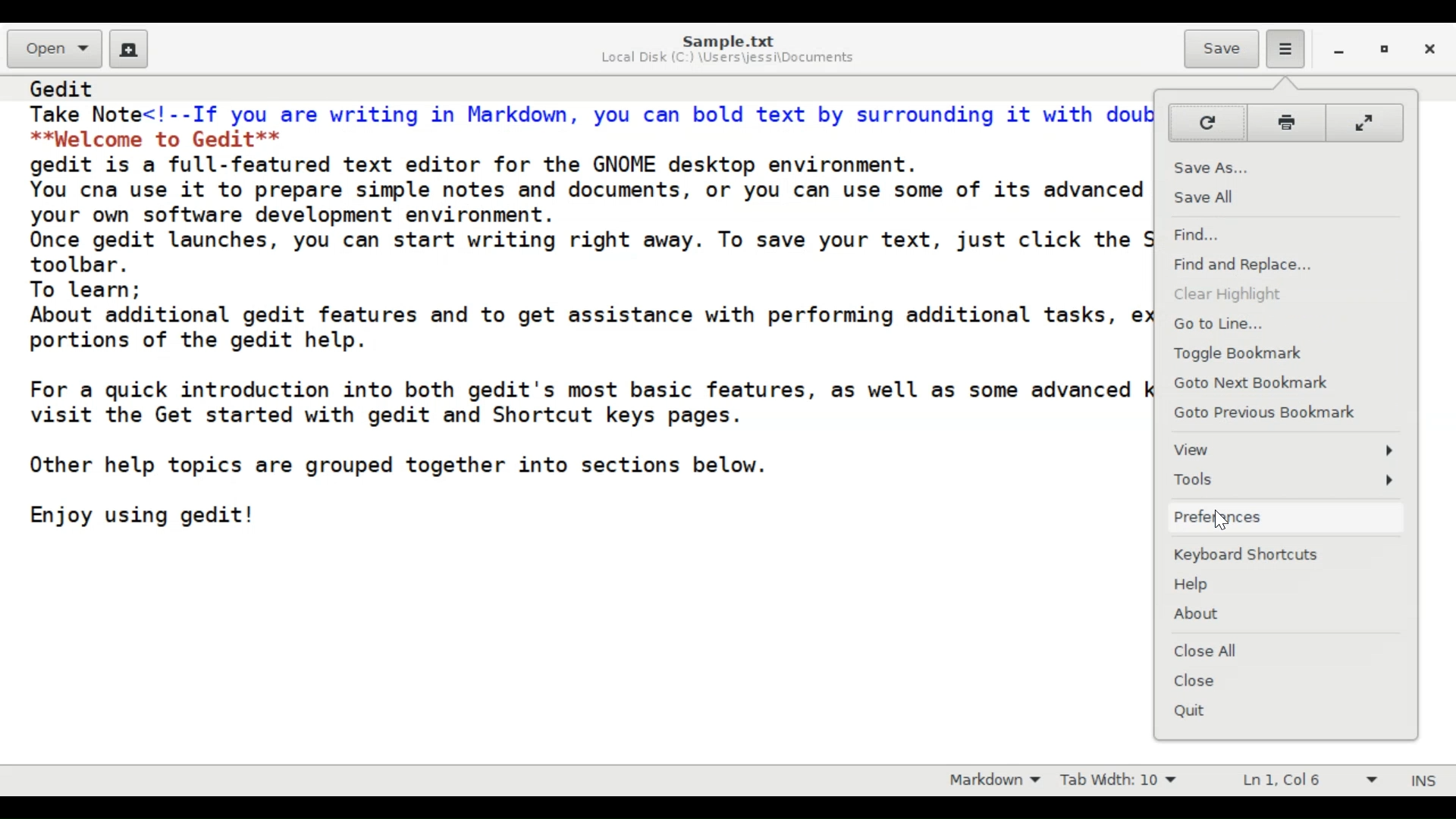 The image size is (1456, 819). I want to click on Find and Replace, so click(1285, 264).